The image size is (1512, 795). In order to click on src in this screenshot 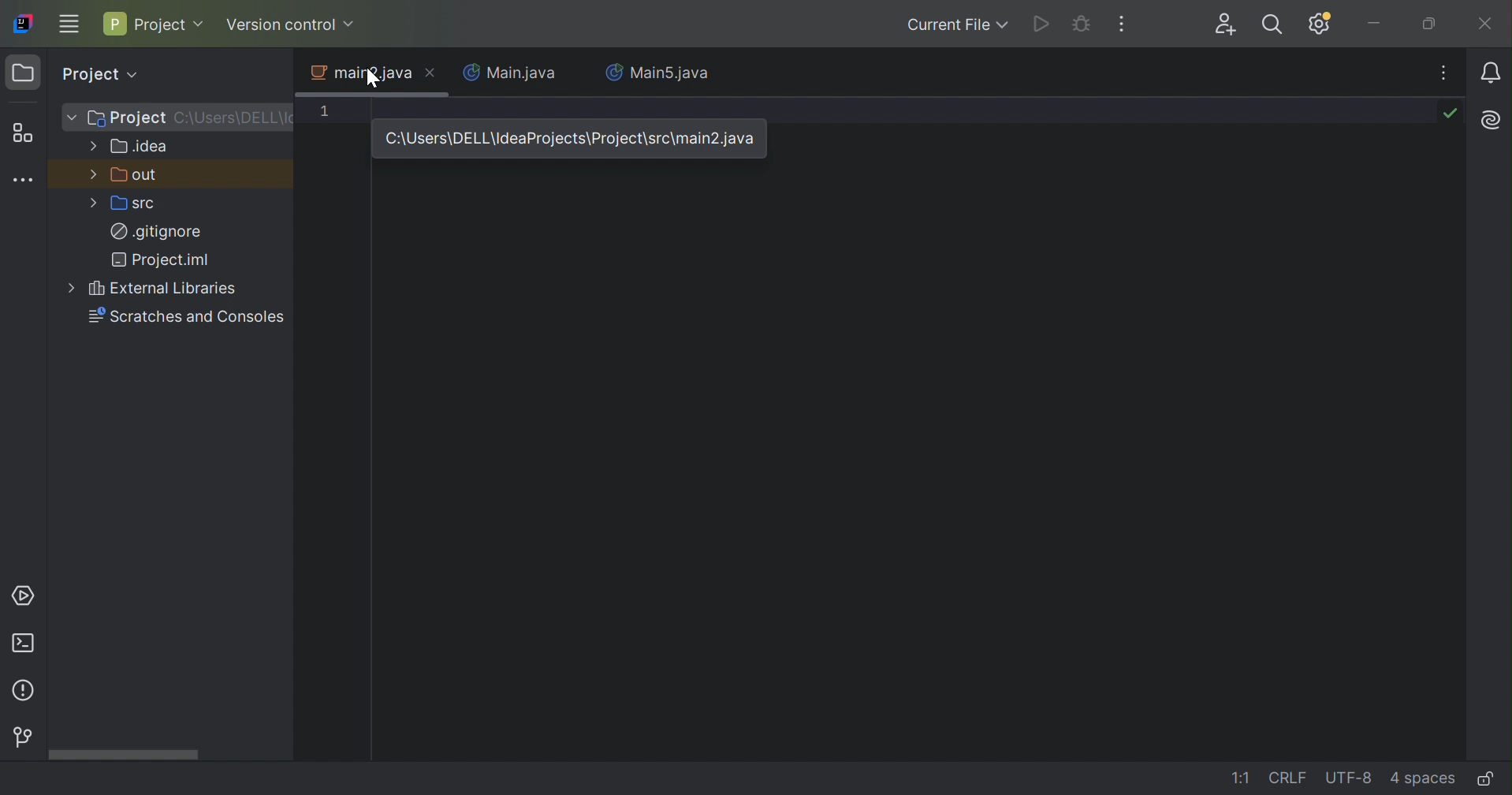, I will do `click(134, 202)`.